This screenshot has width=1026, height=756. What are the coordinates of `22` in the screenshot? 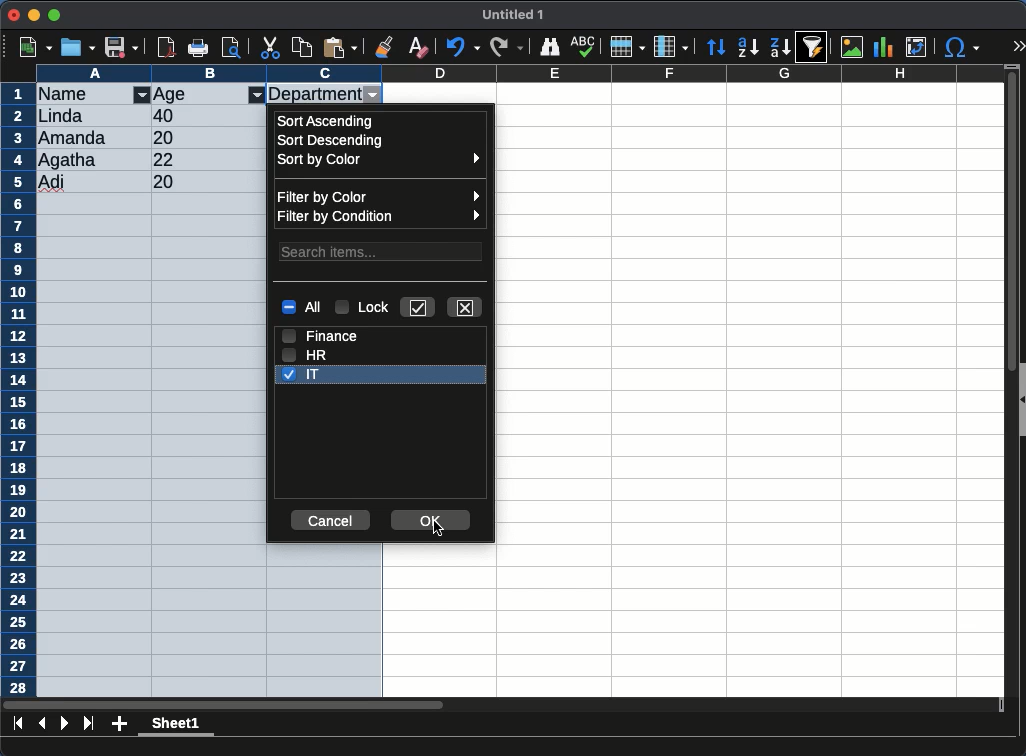 It's located at (168, 159).